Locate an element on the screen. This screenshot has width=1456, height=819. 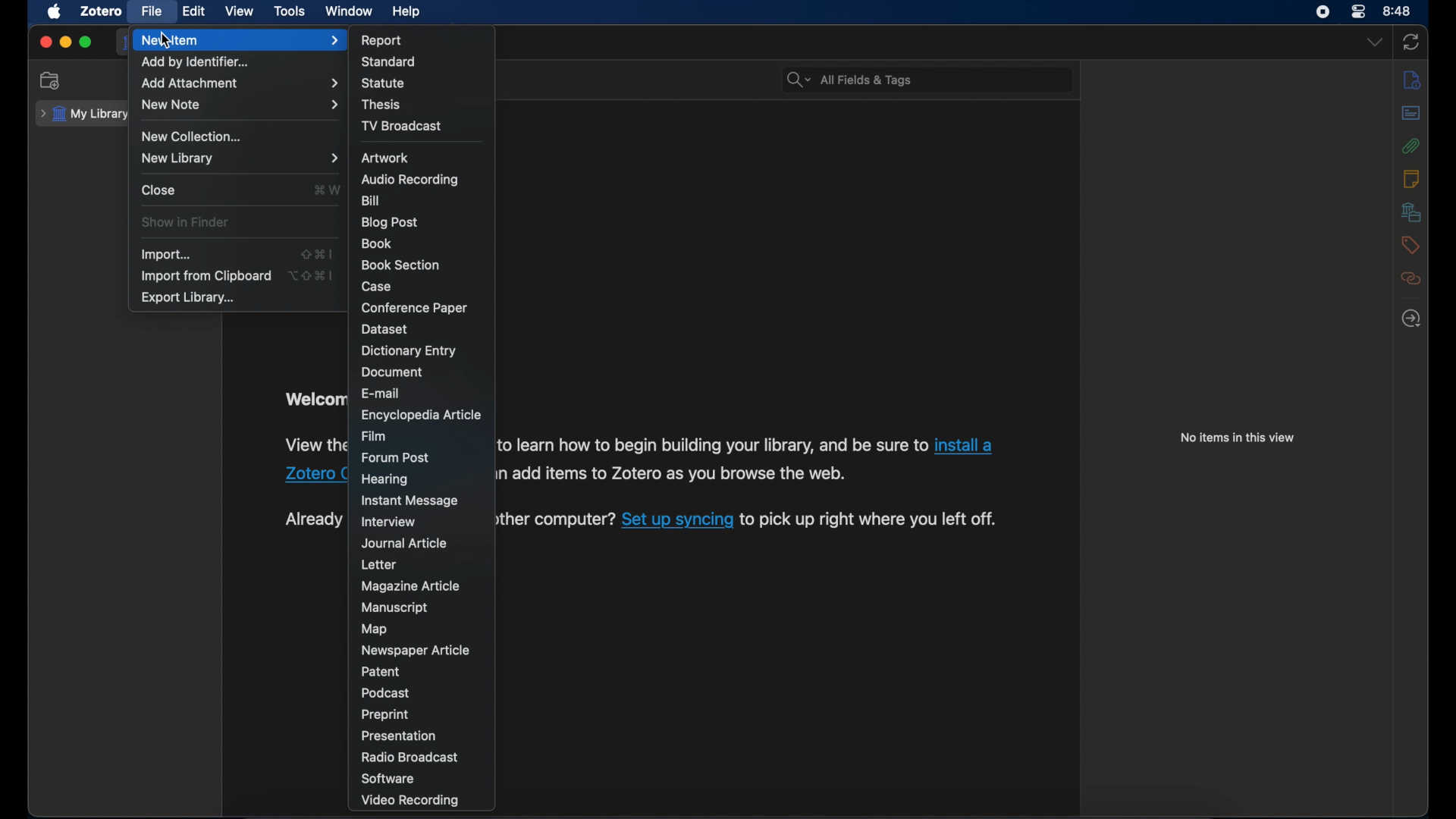
shortcut is located at coordinates (318, 254).